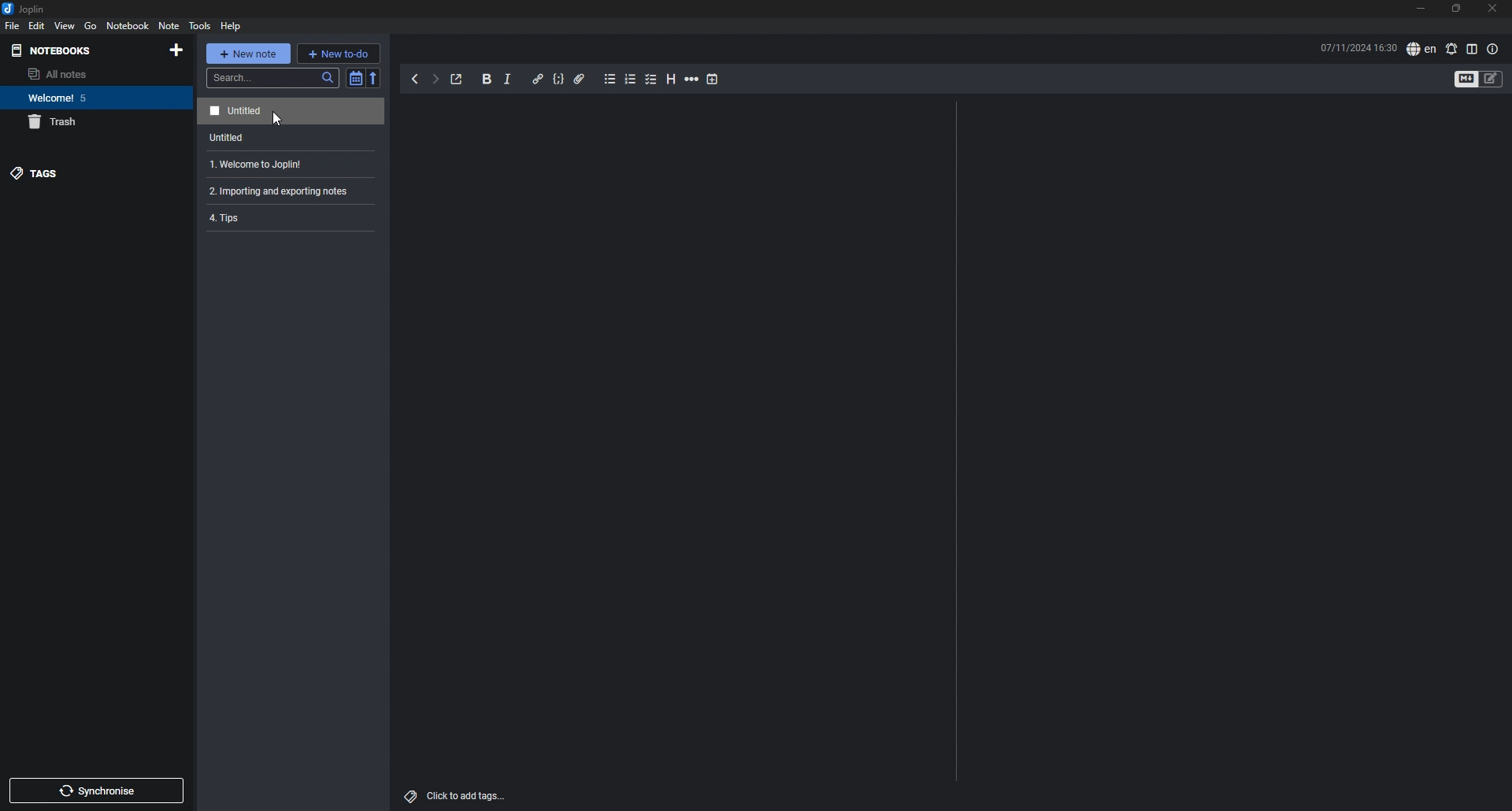  Describe the element at coordinates (169, 25) in the screenshot. I see `note` at that location.